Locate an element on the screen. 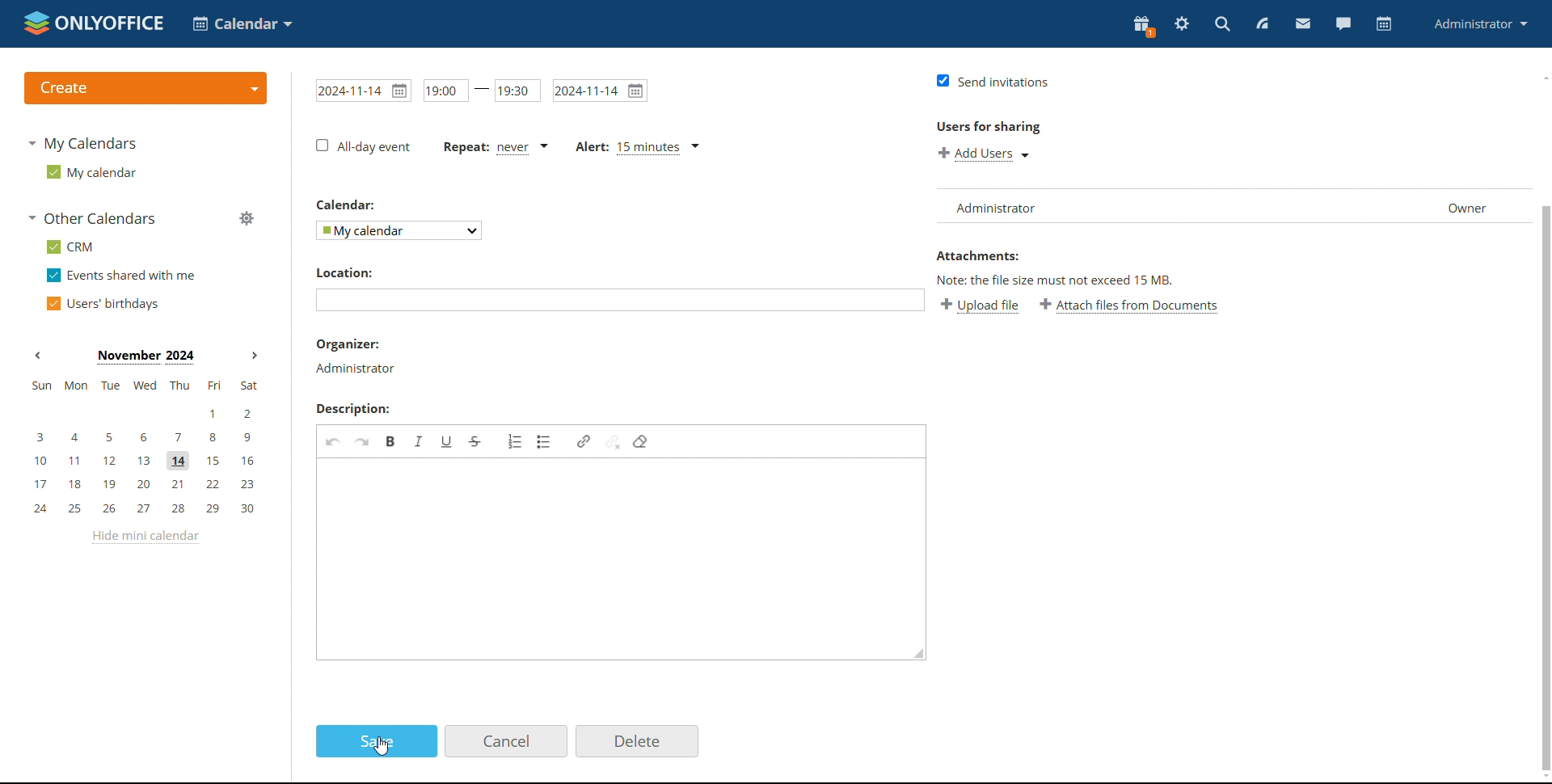  unlink is located at coordinates (616, 445).